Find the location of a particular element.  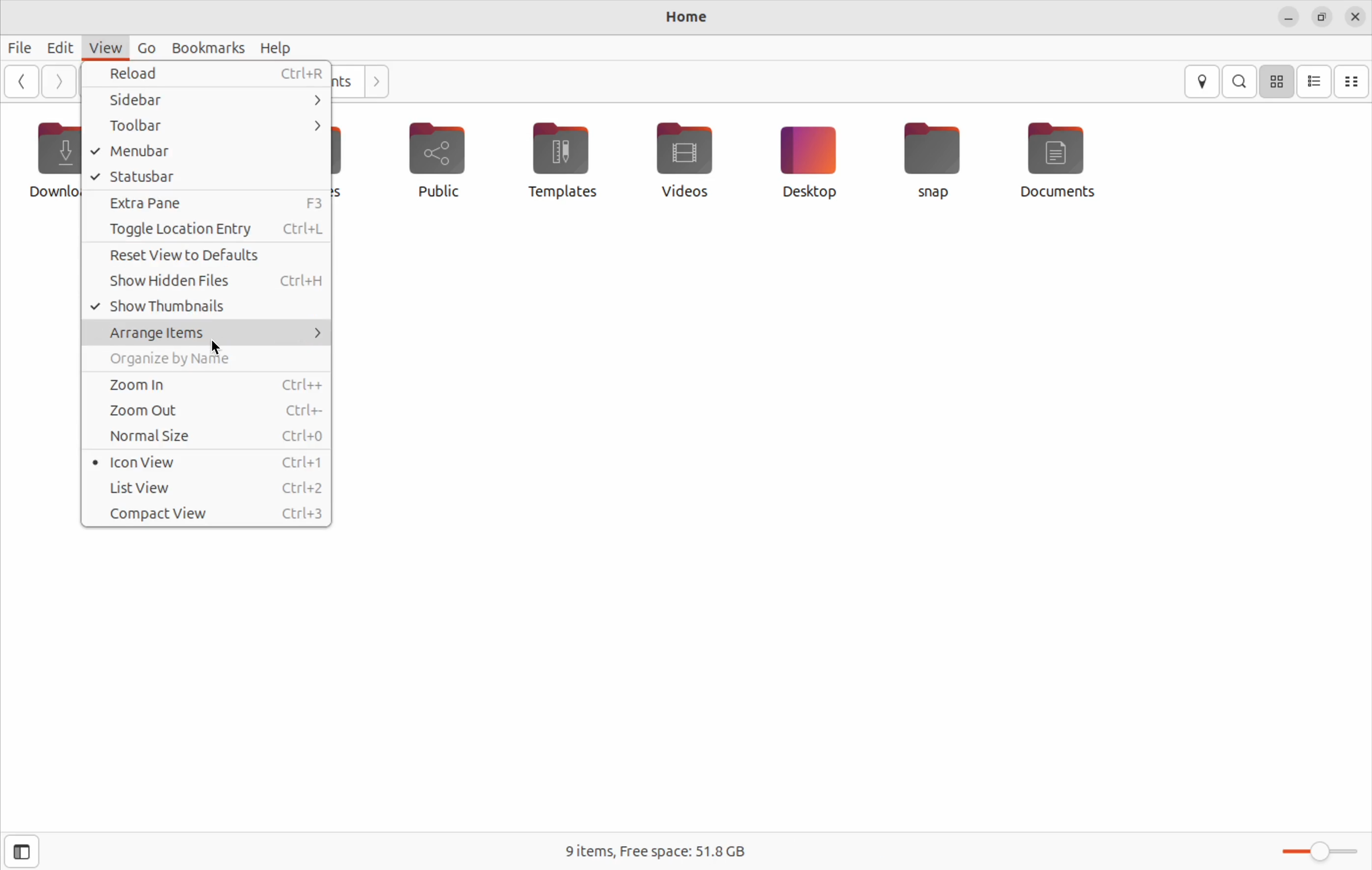

Public is located at coordinates (440, 164).